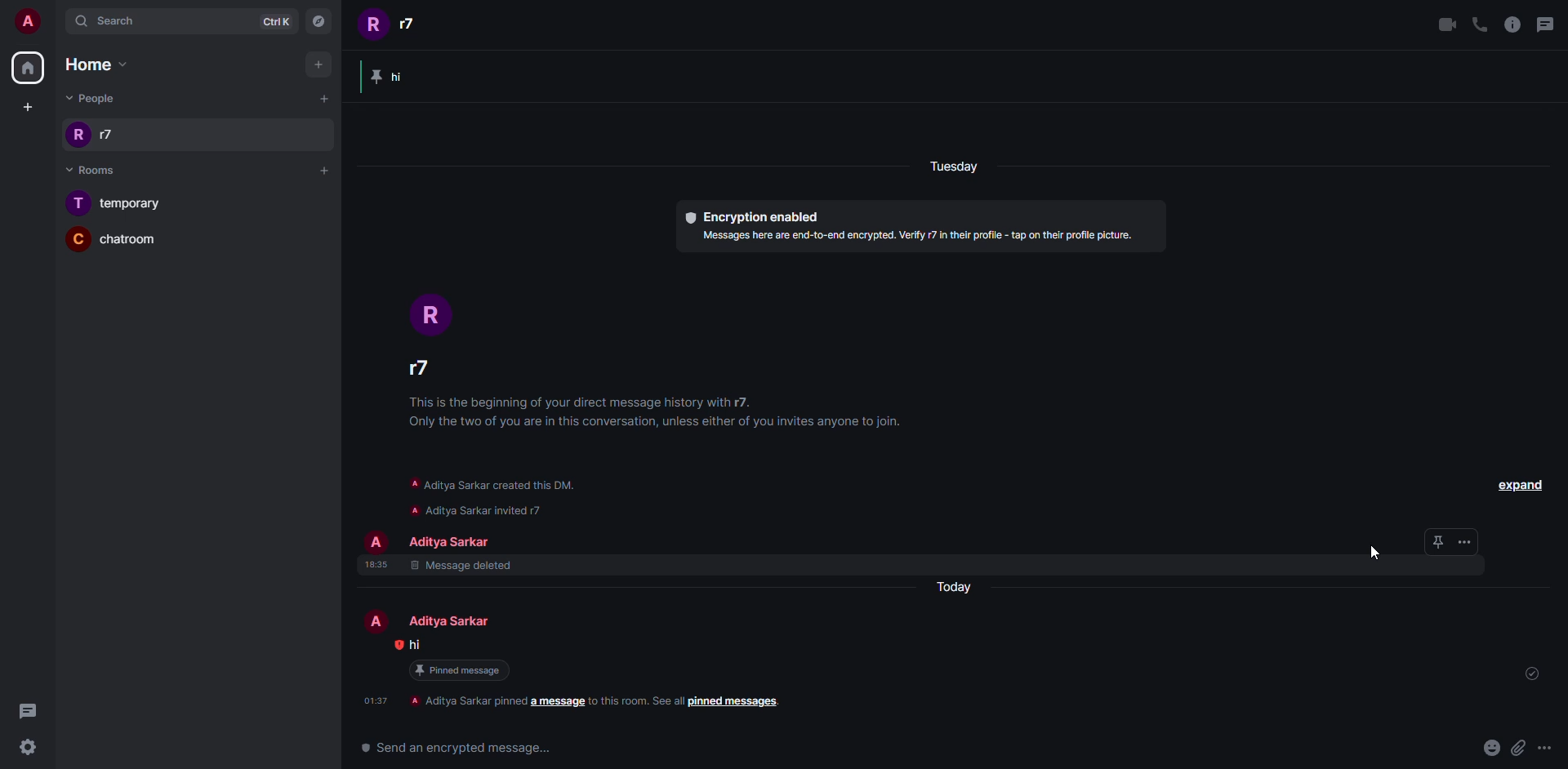 The height and width of the screenshot is (769, 1568). Describe the element at coordinates (376, 700) in the screenshot. I see `time` at that location.